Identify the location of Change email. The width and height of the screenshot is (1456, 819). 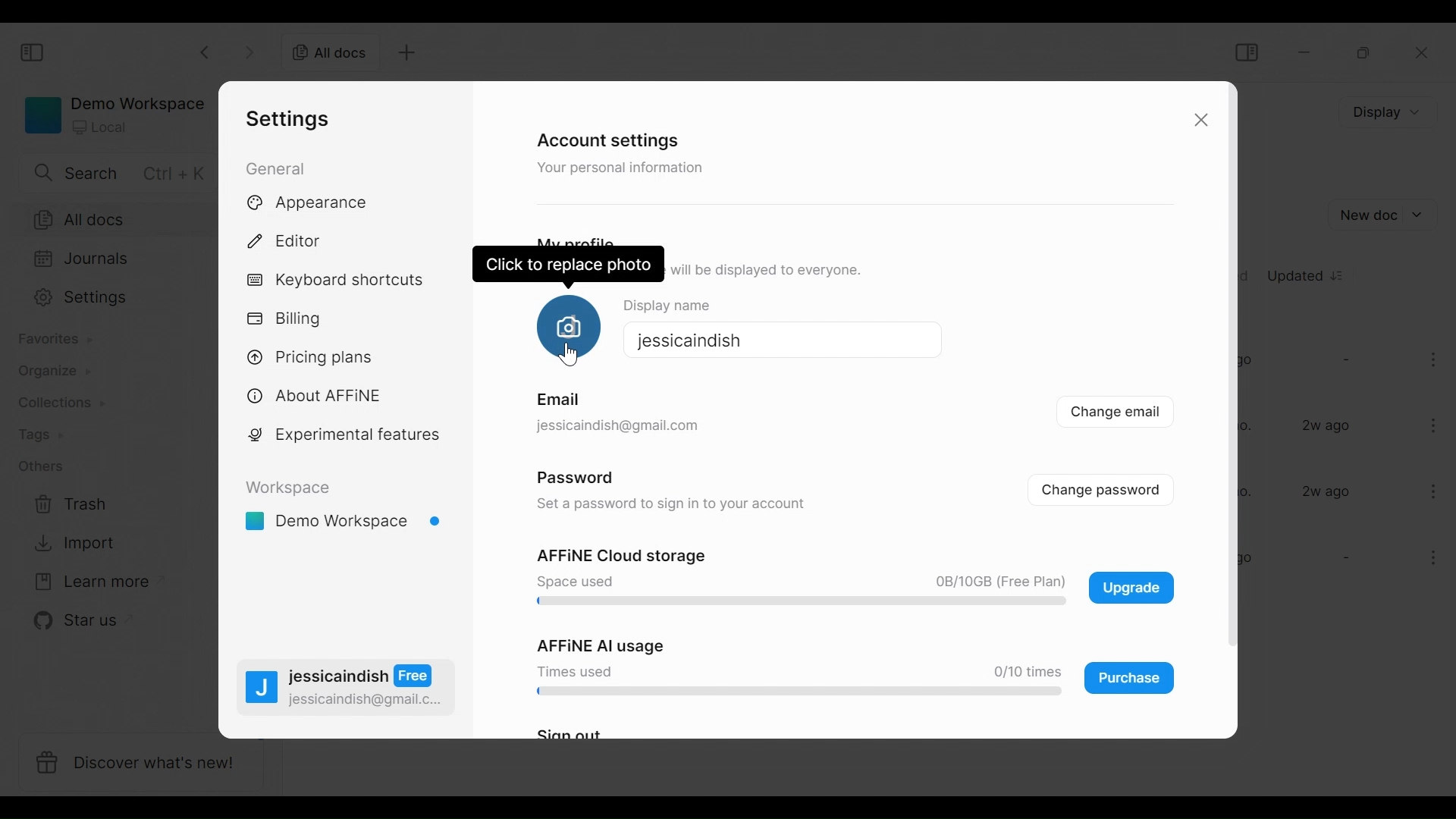
(1116, 414).